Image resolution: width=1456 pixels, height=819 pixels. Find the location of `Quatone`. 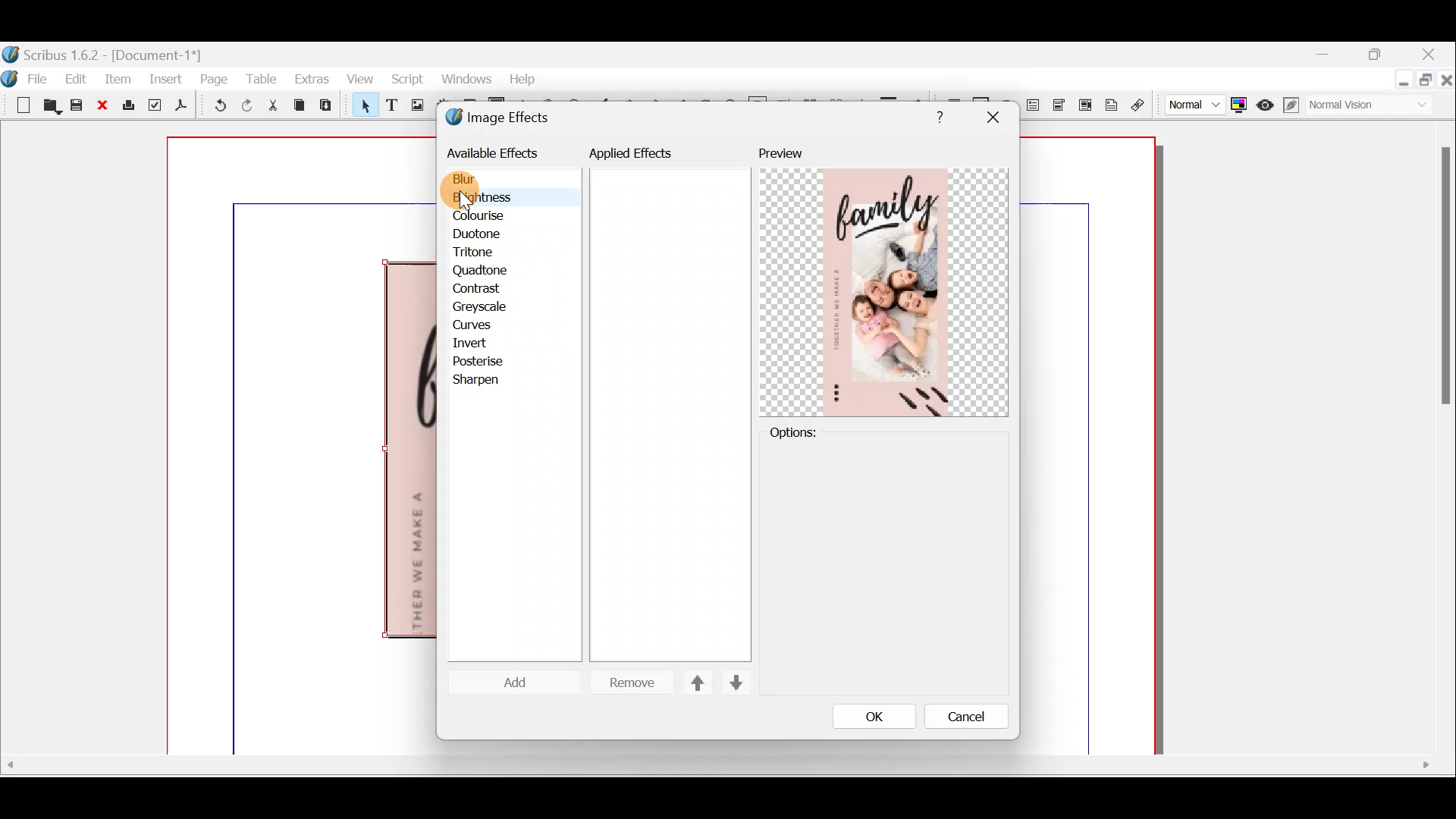

Quatone is located at coordinates (482, 271).